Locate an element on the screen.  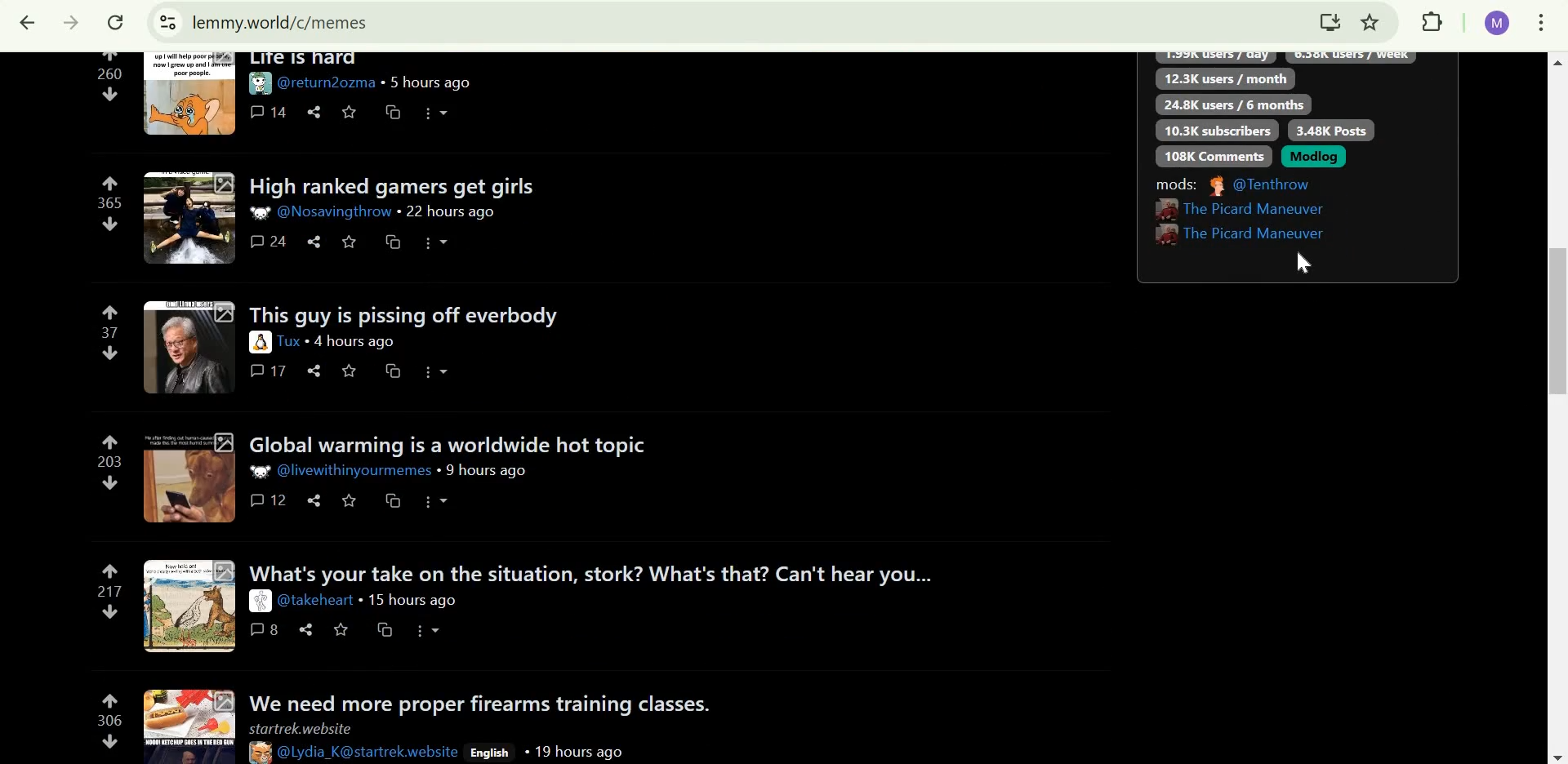
share is located at coordinates (317, 371).